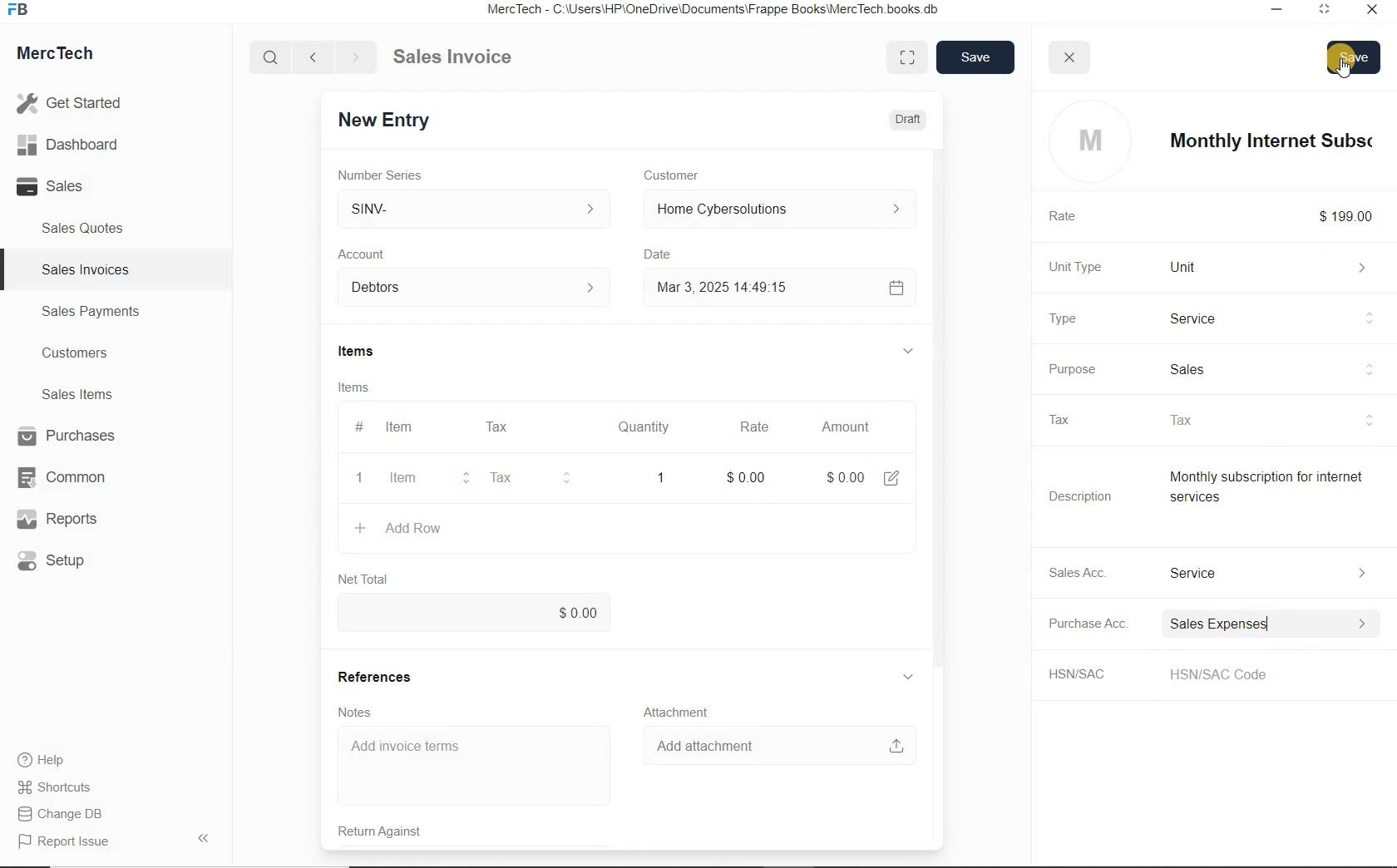 This screenshot has height=868, width=1397. Describe the element at coordinates (909, 58) in the screenshot. I see `Toggle between form and full width` at that location.